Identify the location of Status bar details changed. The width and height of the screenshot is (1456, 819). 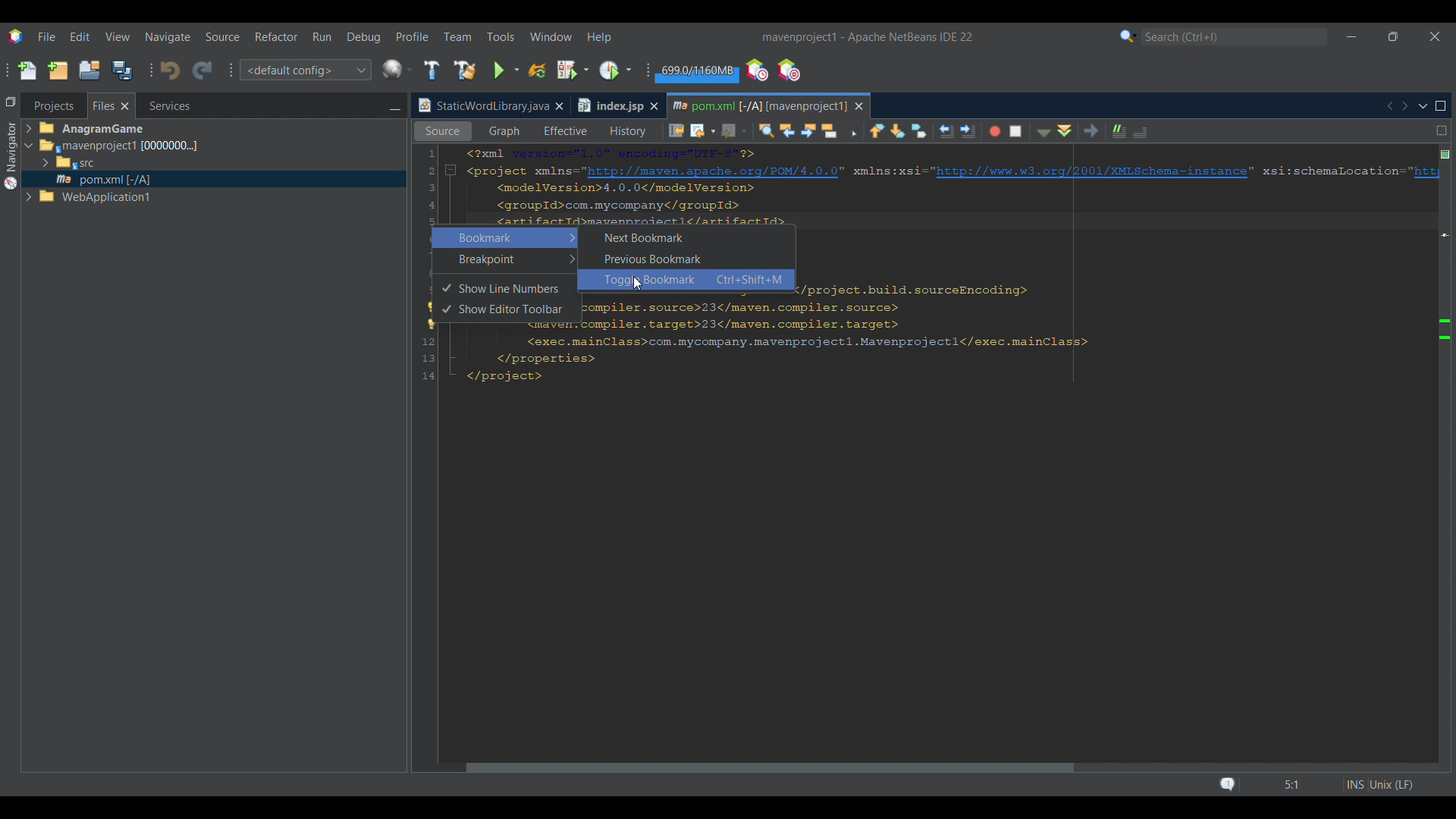
(1316, 785).